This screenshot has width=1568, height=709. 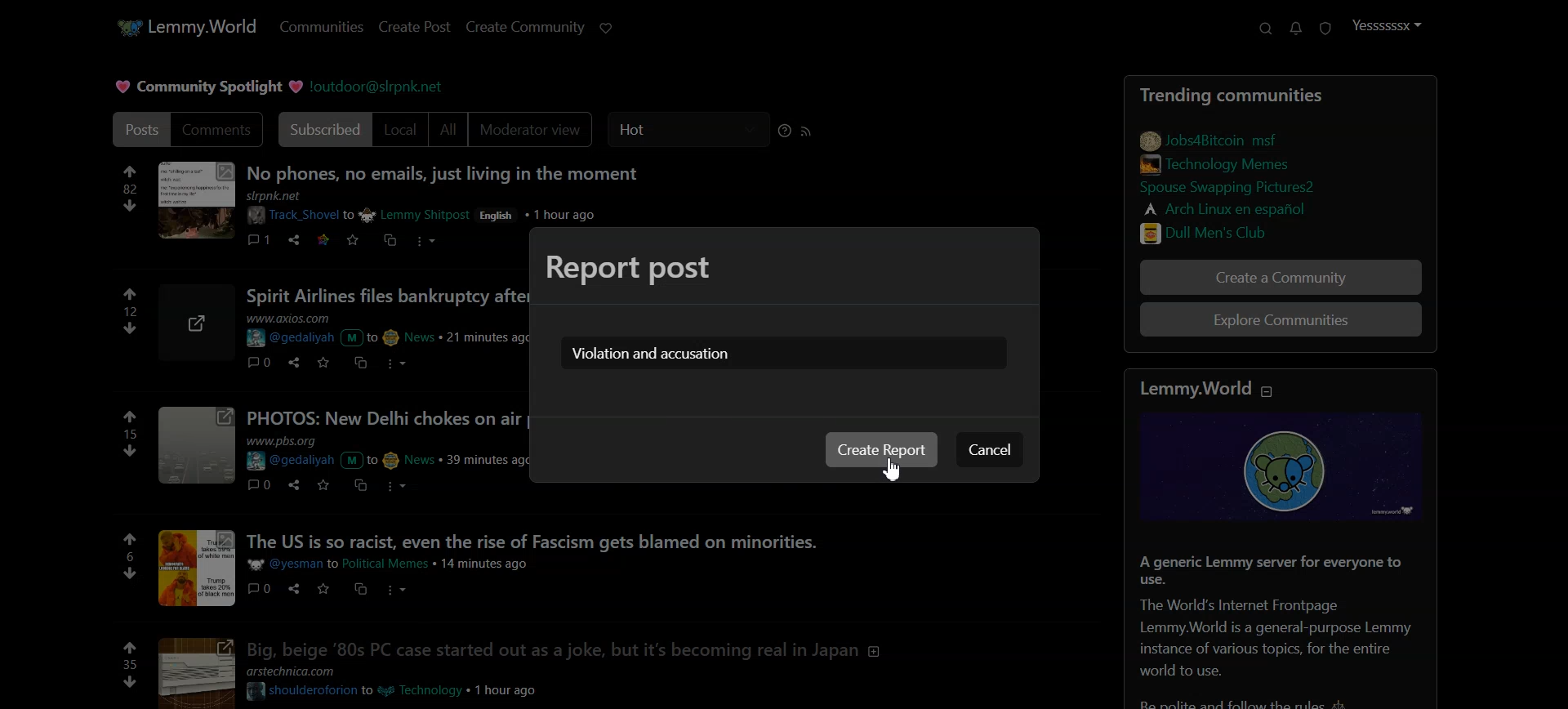 What do you see at coordinates (413, 27) in the screenshot?
I see `Create Post` at bounding box center [413, 27].